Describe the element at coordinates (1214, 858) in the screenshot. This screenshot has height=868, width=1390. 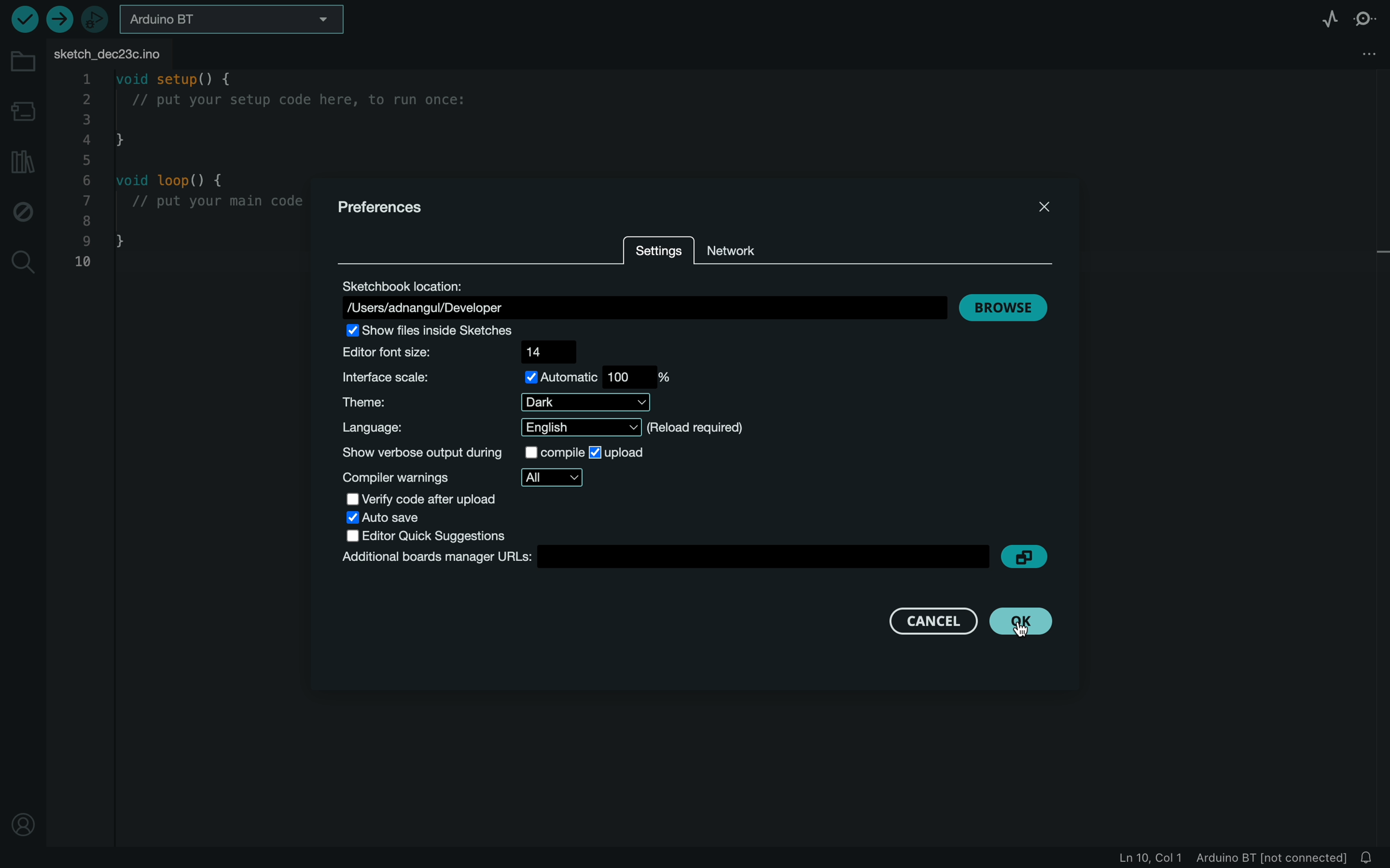
I see `file information` at that location.